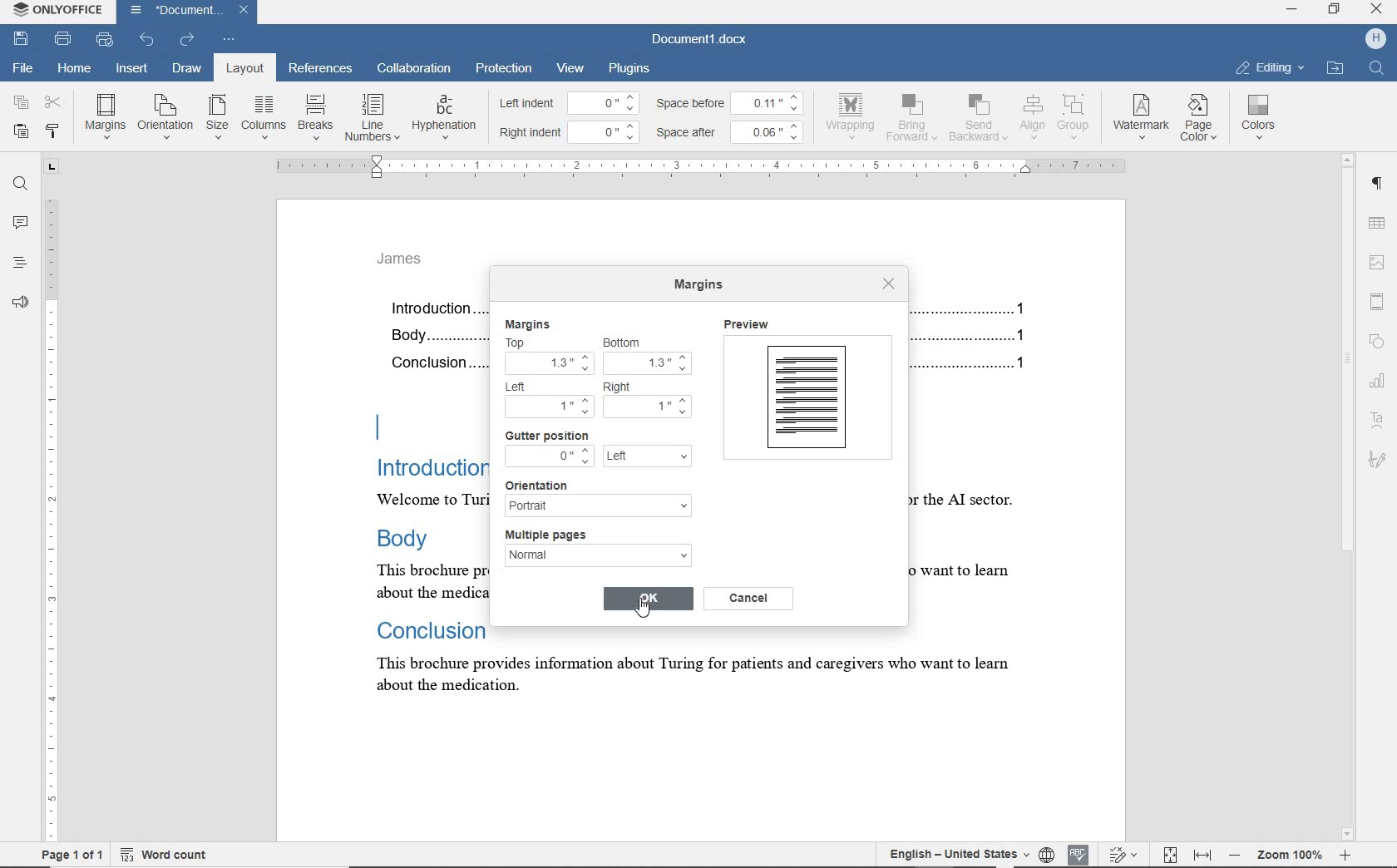 The image size is (1397, 868). What do you see at coordinates (1270, 67) in the screenshot?
I see `EDITING` at bounding box center [1270, 67].